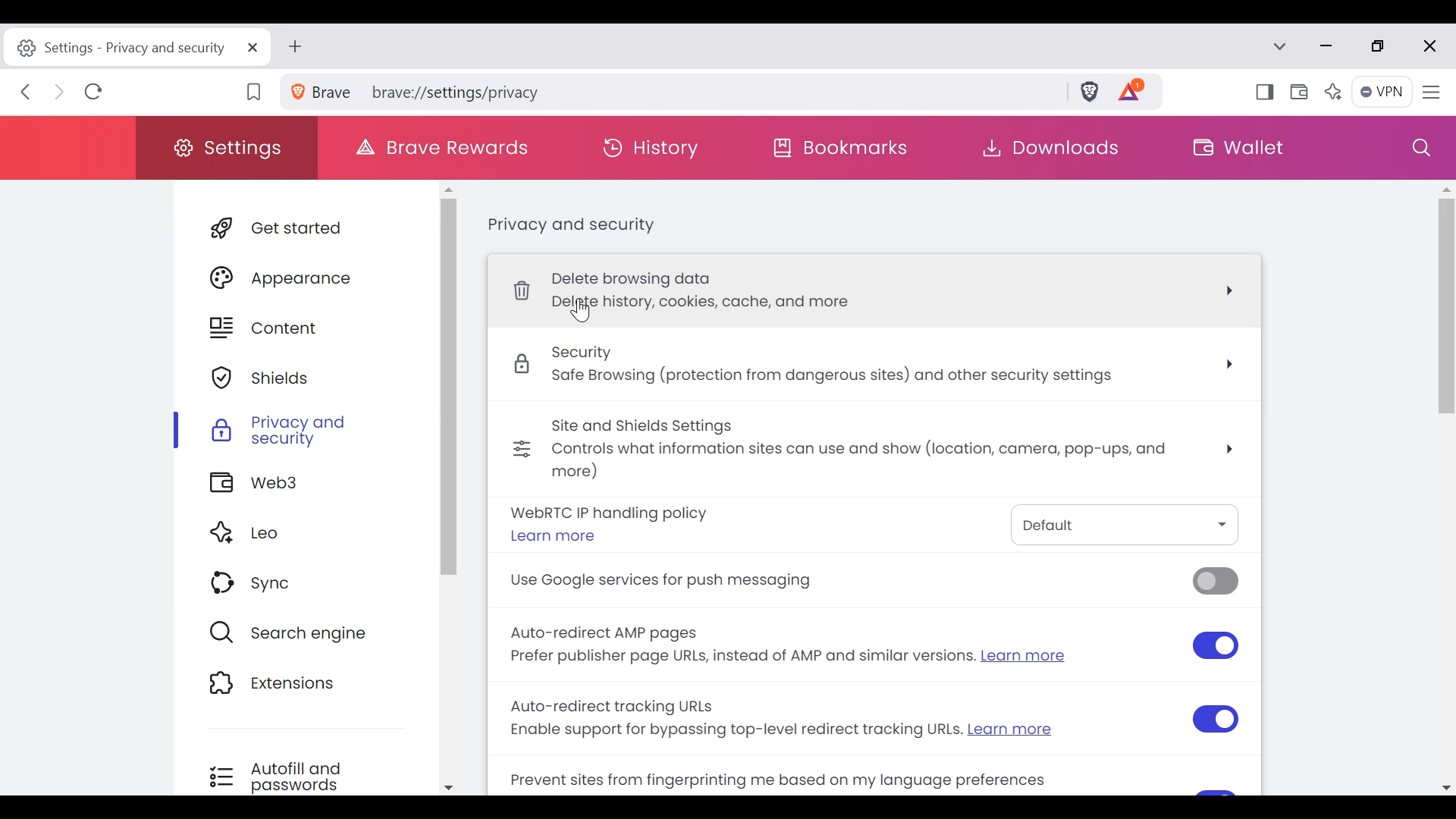 This screenshot has width=1456, height=819. Describe the element at coordinates (303, 379) in the screenshot. I see `Shield` at that location.